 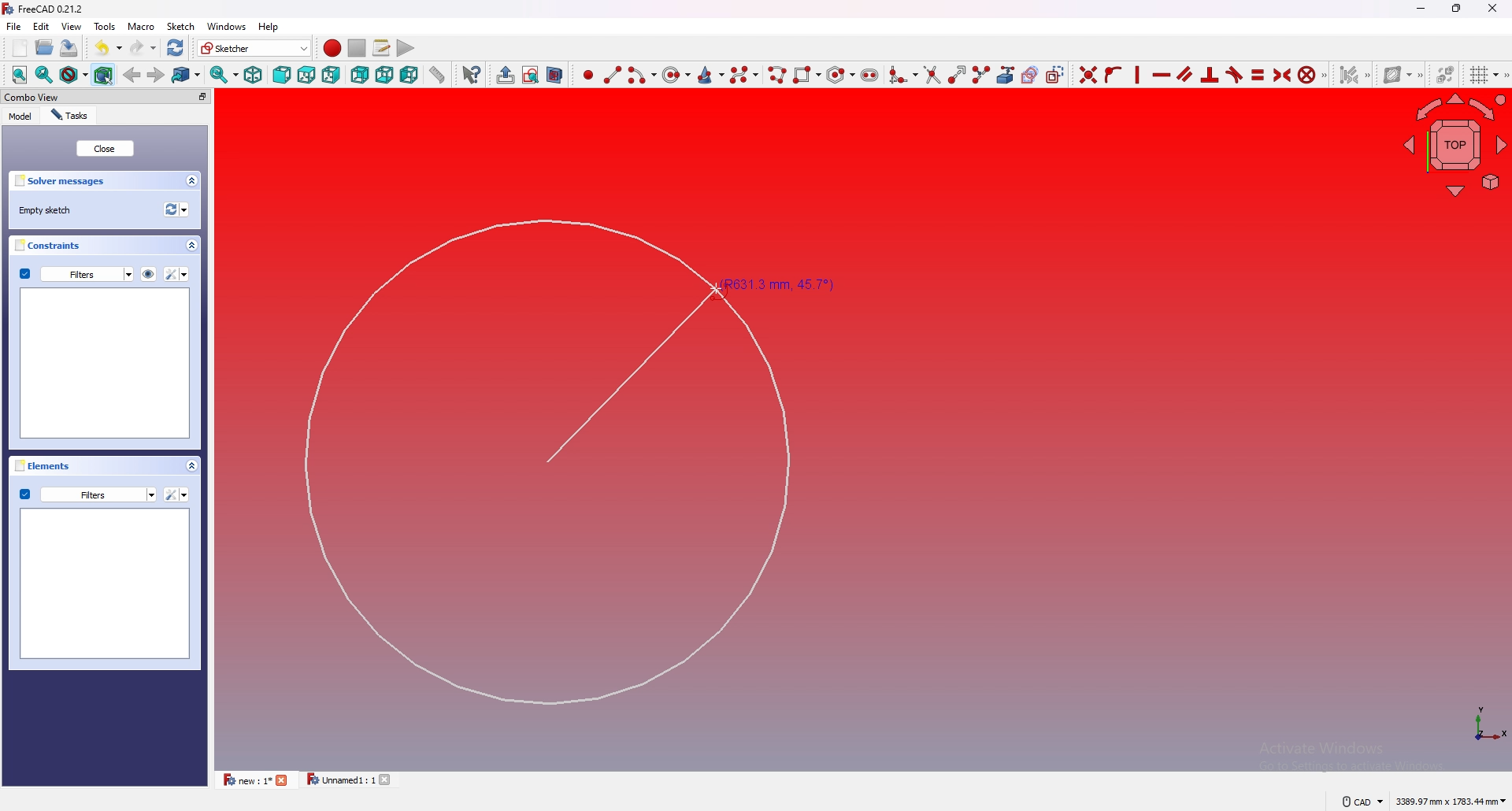 I want to click on recomputation of active document, so click(x=176, y=209).